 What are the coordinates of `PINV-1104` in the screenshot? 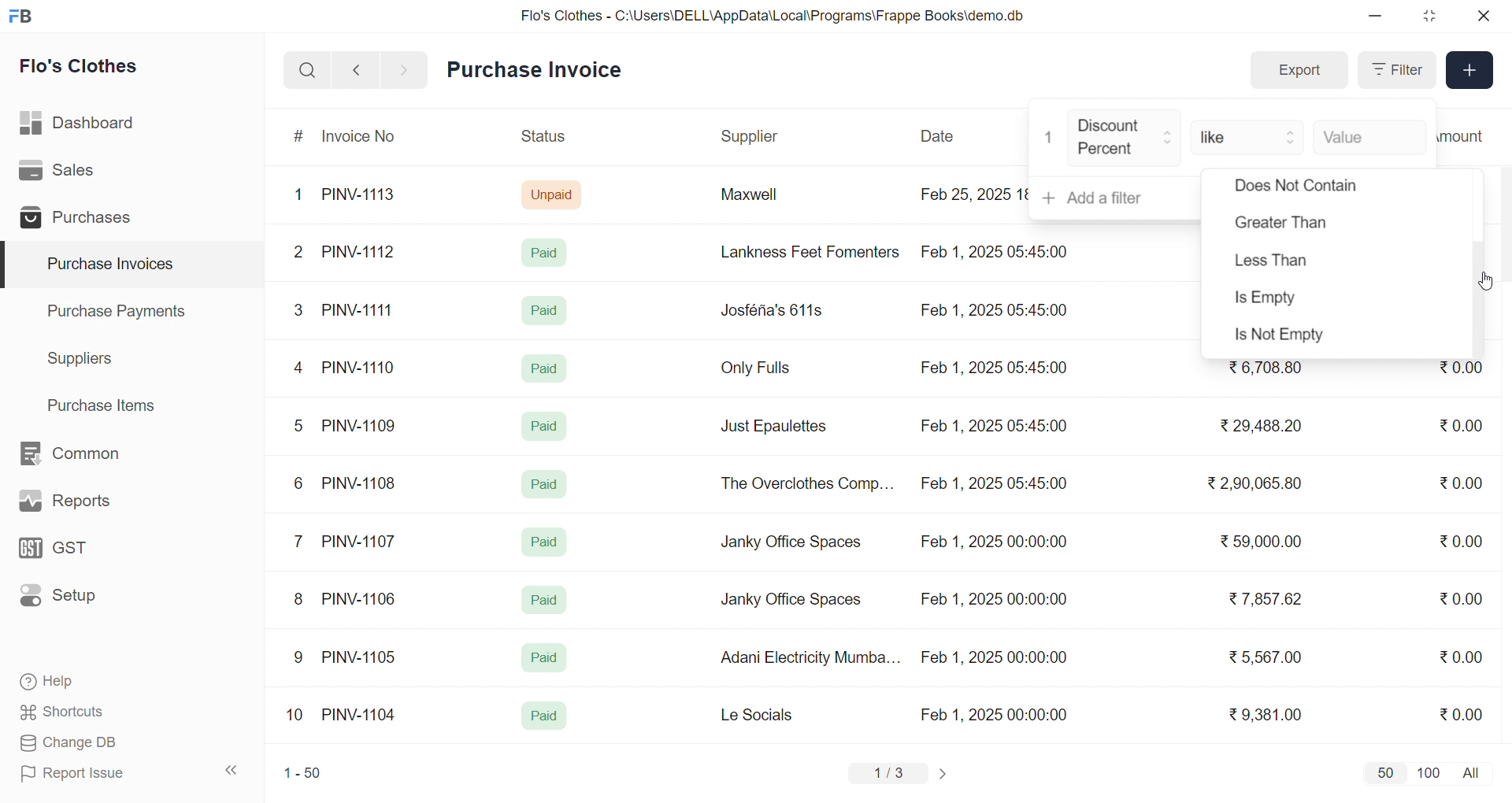 It's located at (361, 715).